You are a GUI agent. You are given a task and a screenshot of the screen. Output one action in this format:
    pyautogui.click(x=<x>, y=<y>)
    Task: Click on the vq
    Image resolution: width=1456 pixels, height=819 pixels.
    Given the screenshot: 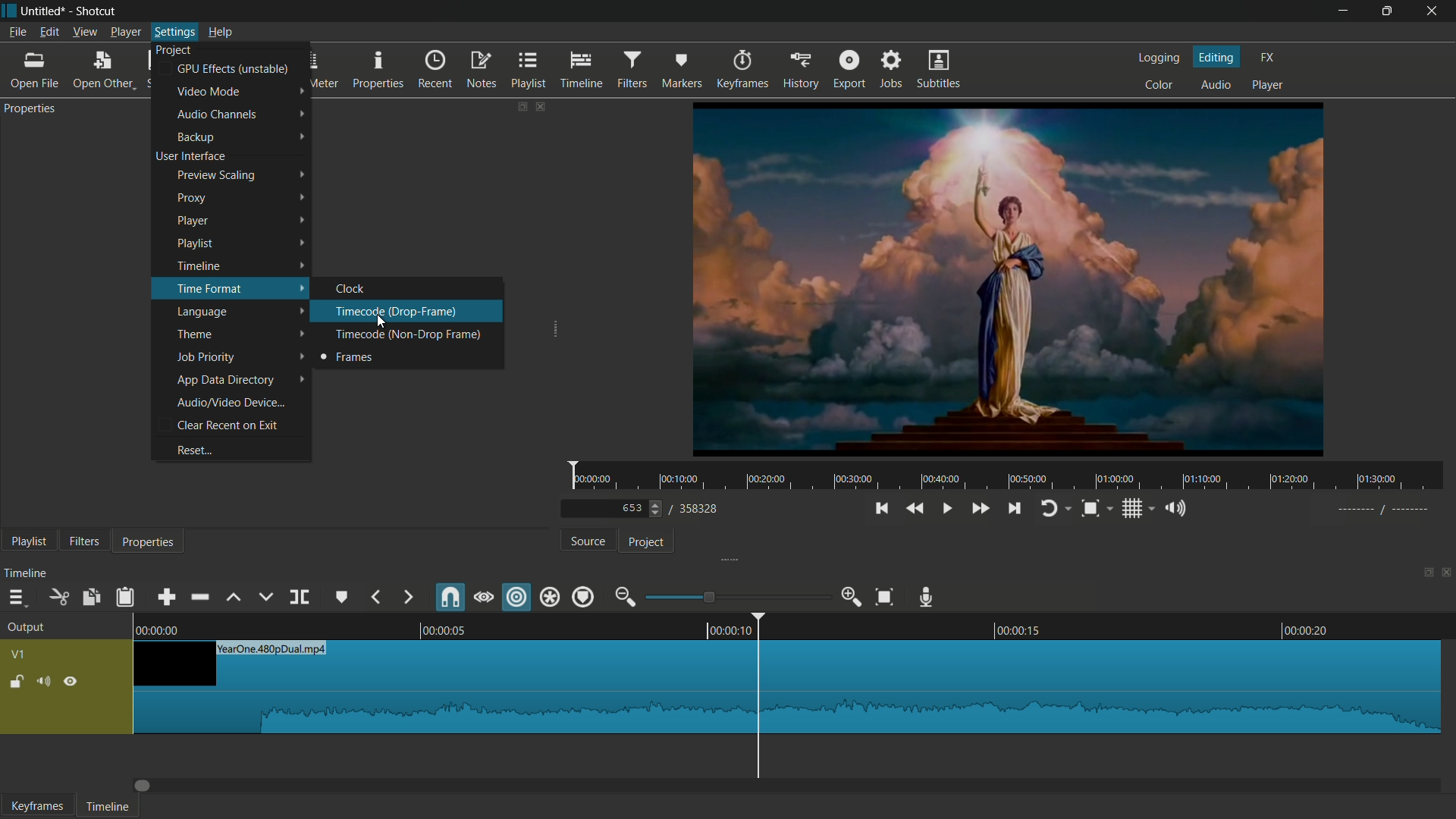 What is the action you would take?
    pyautogui.click(x=19, y=654)
    